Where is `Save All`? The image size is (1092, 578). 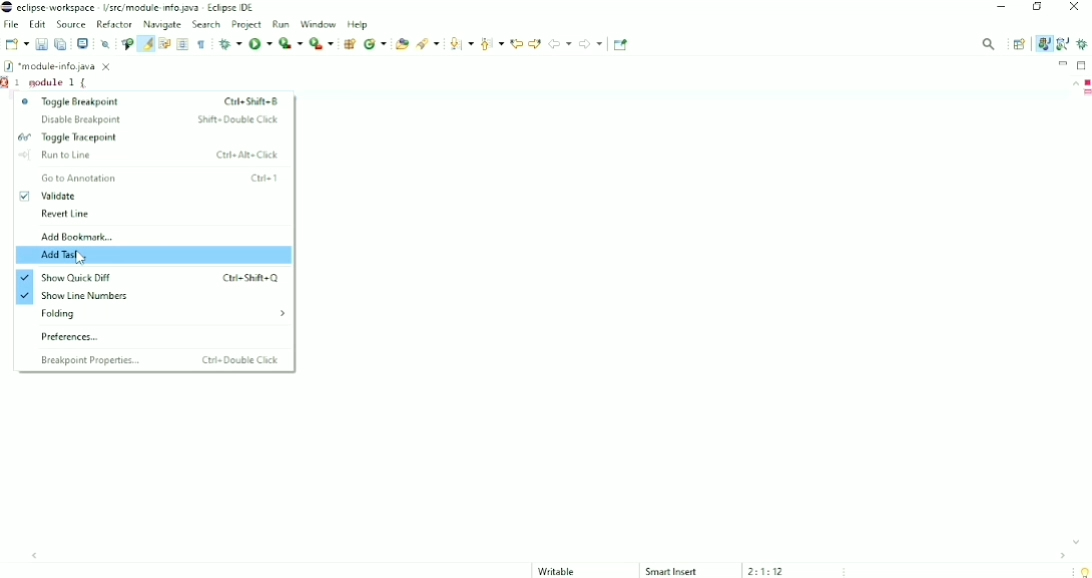 Save All is located at coordinates (61, 44).